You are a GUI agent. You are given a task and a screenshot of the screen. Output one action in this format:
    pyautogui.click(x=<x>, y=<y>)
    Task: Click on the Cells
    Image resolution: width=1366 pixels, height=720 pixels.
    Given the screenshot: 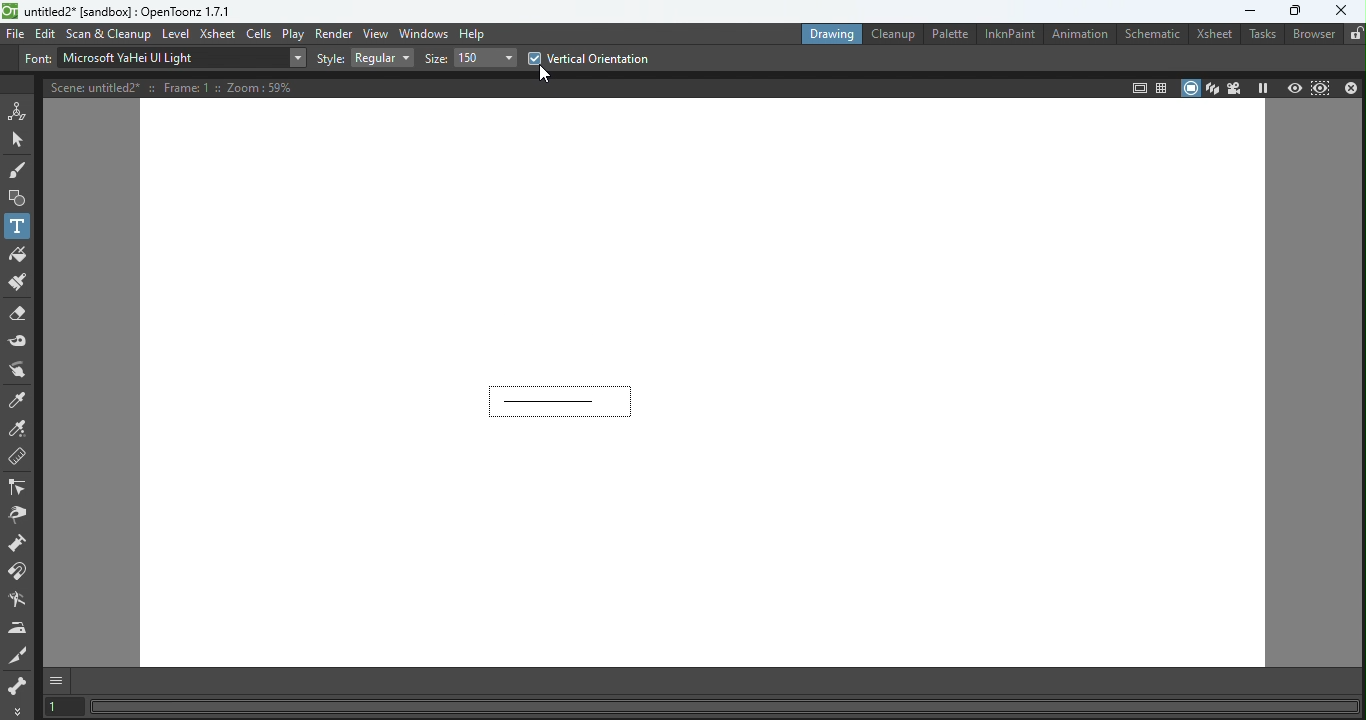 What is the action you would take?
    pyautogui.click(x=260, y=35)
    